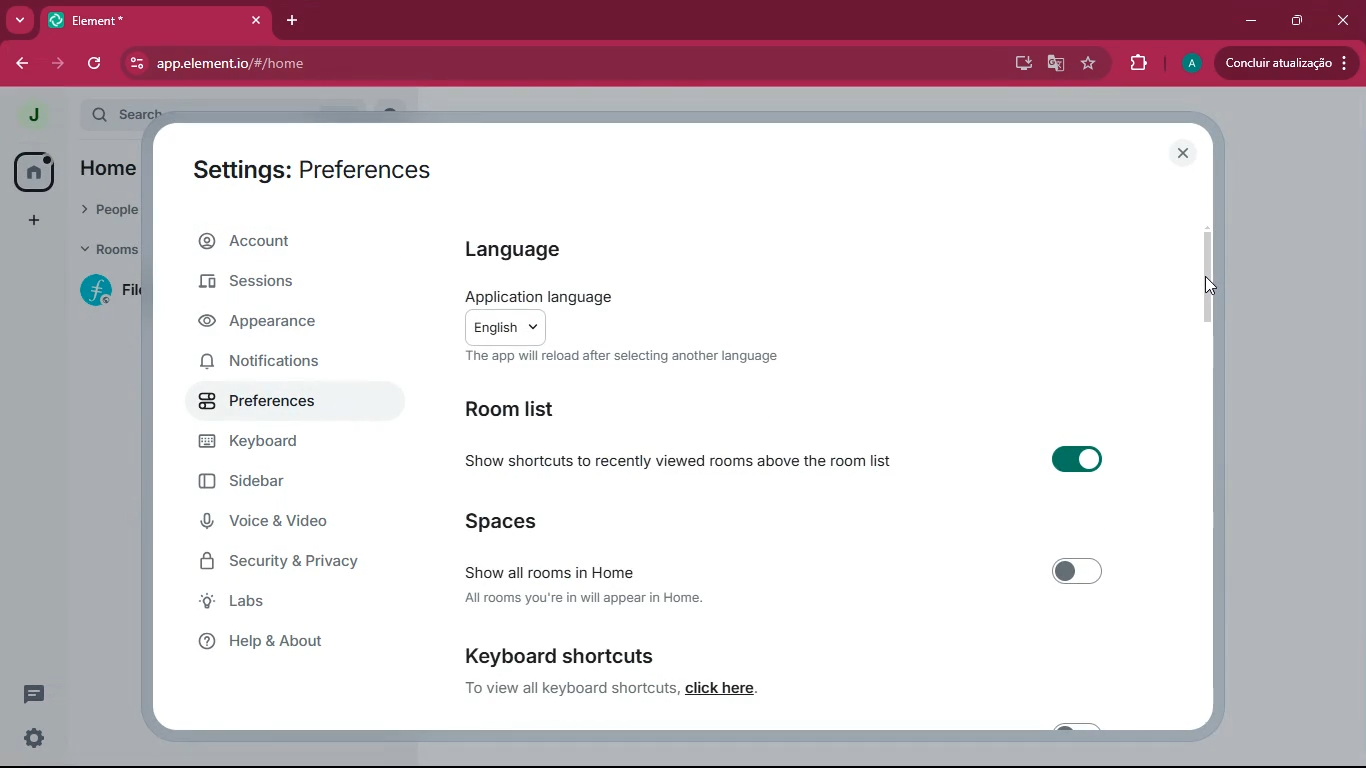  I want to click on room list, so click(522, 410).